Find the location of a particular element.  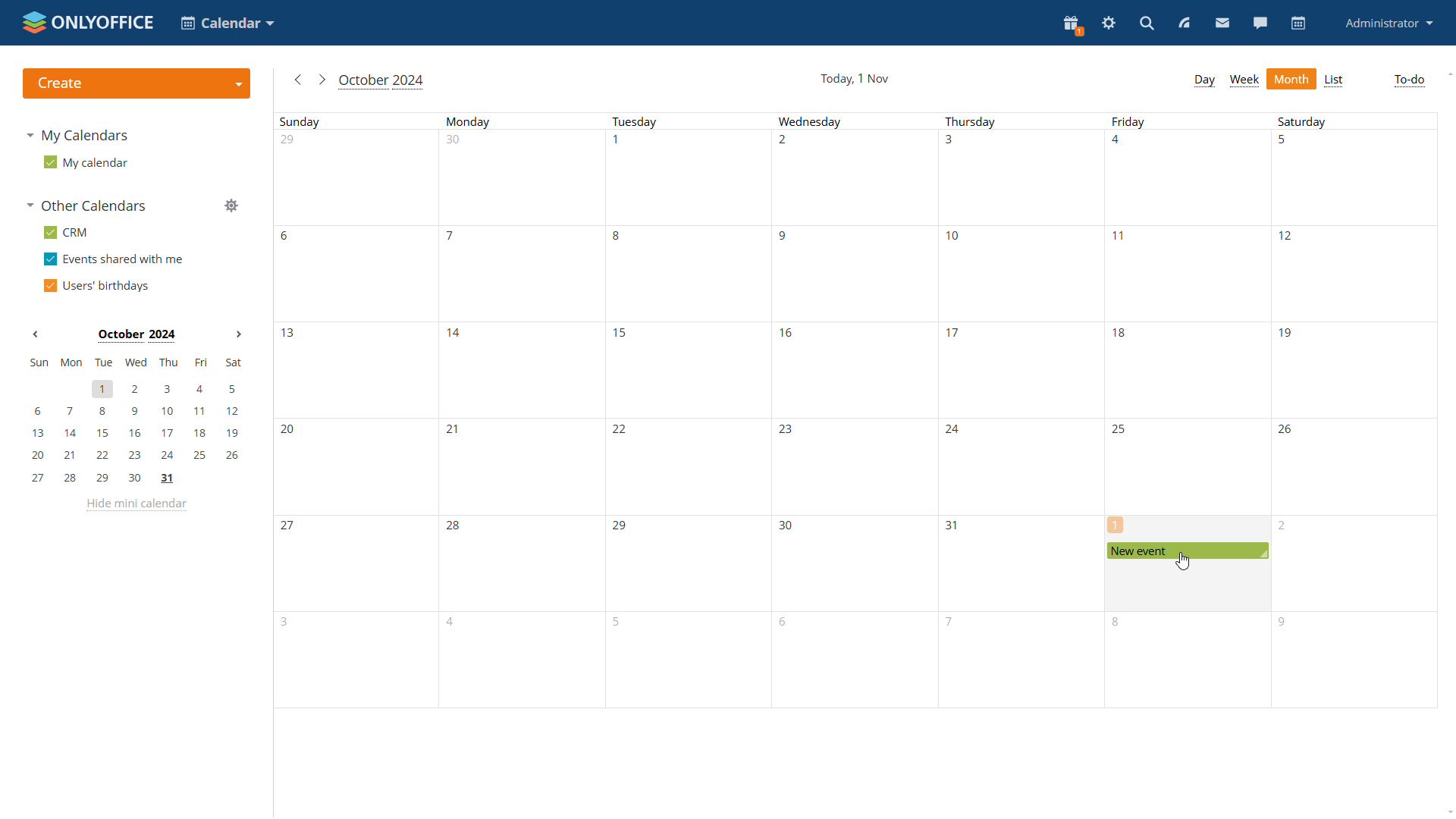

events shared with me is located at coordinates (116, 260).